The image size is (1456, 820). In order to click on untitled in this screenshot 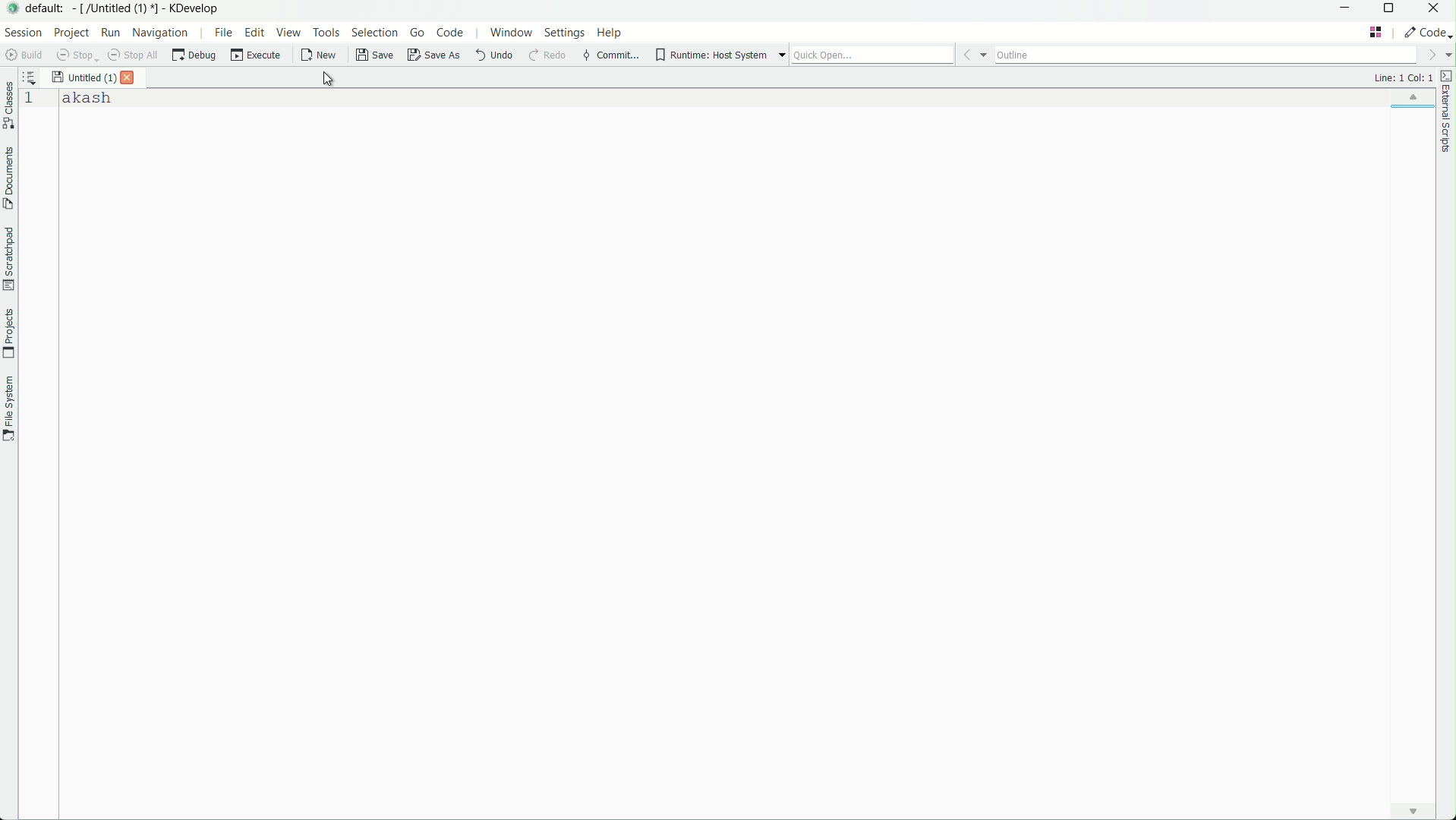, I will do `click(84, 77)`.